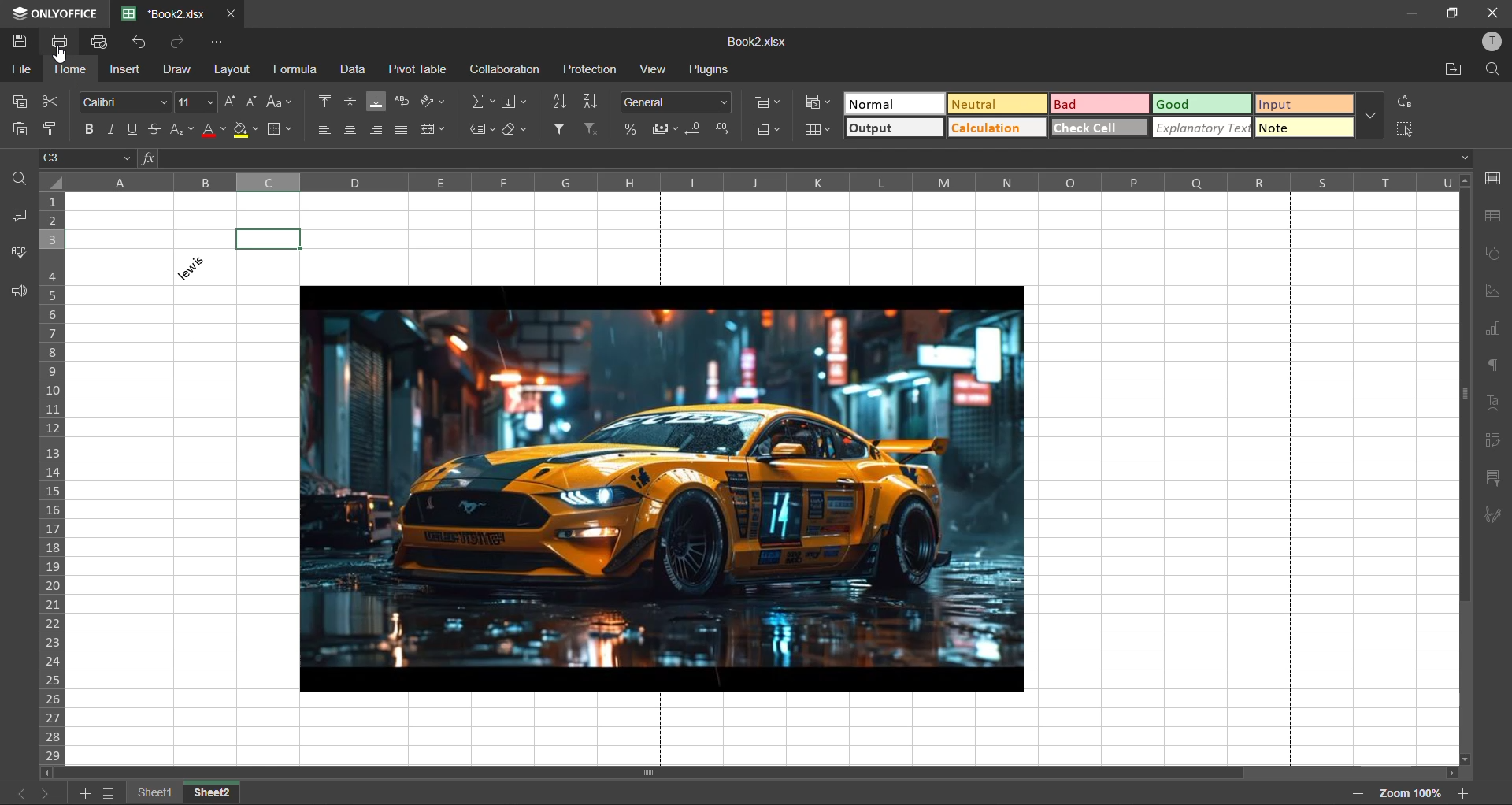  I want to click on orientation, so click(429, 103).